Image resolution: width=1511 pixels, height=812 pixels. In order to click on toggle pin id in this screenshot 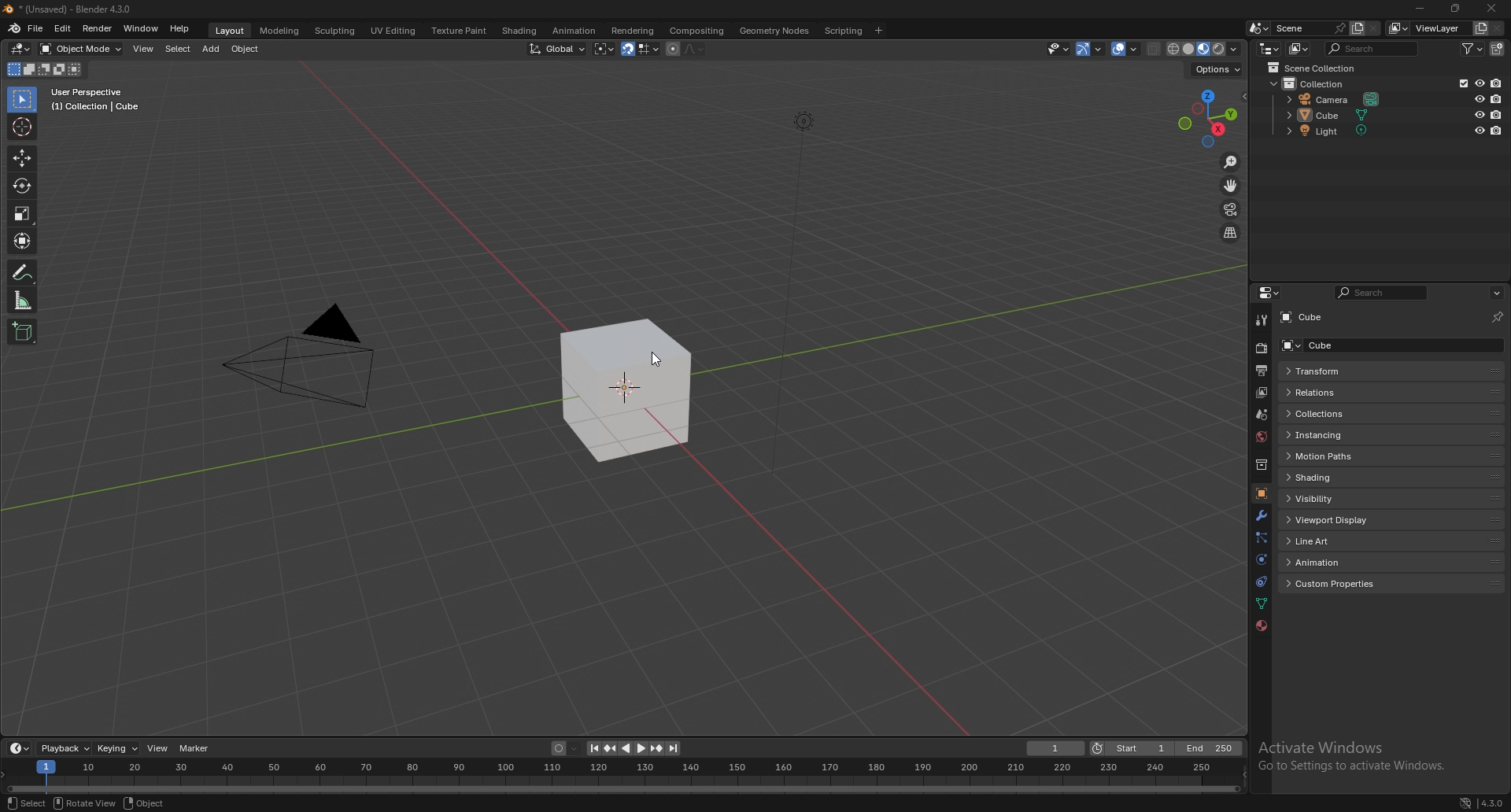, I will do `click(1496, 317)`.